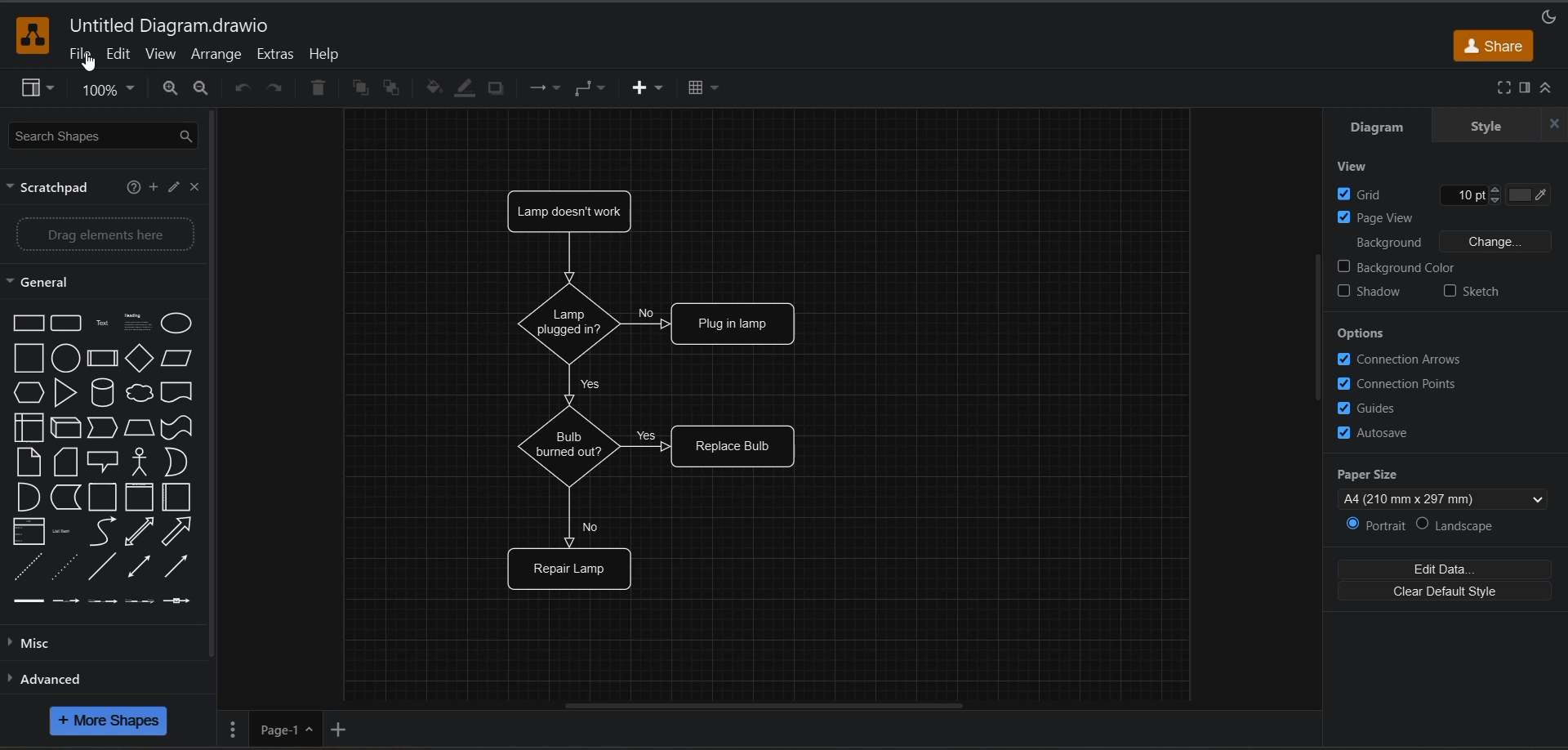 The width and height of the screenshot is (1568, 750). I want to click on page options, so click(231, 728).